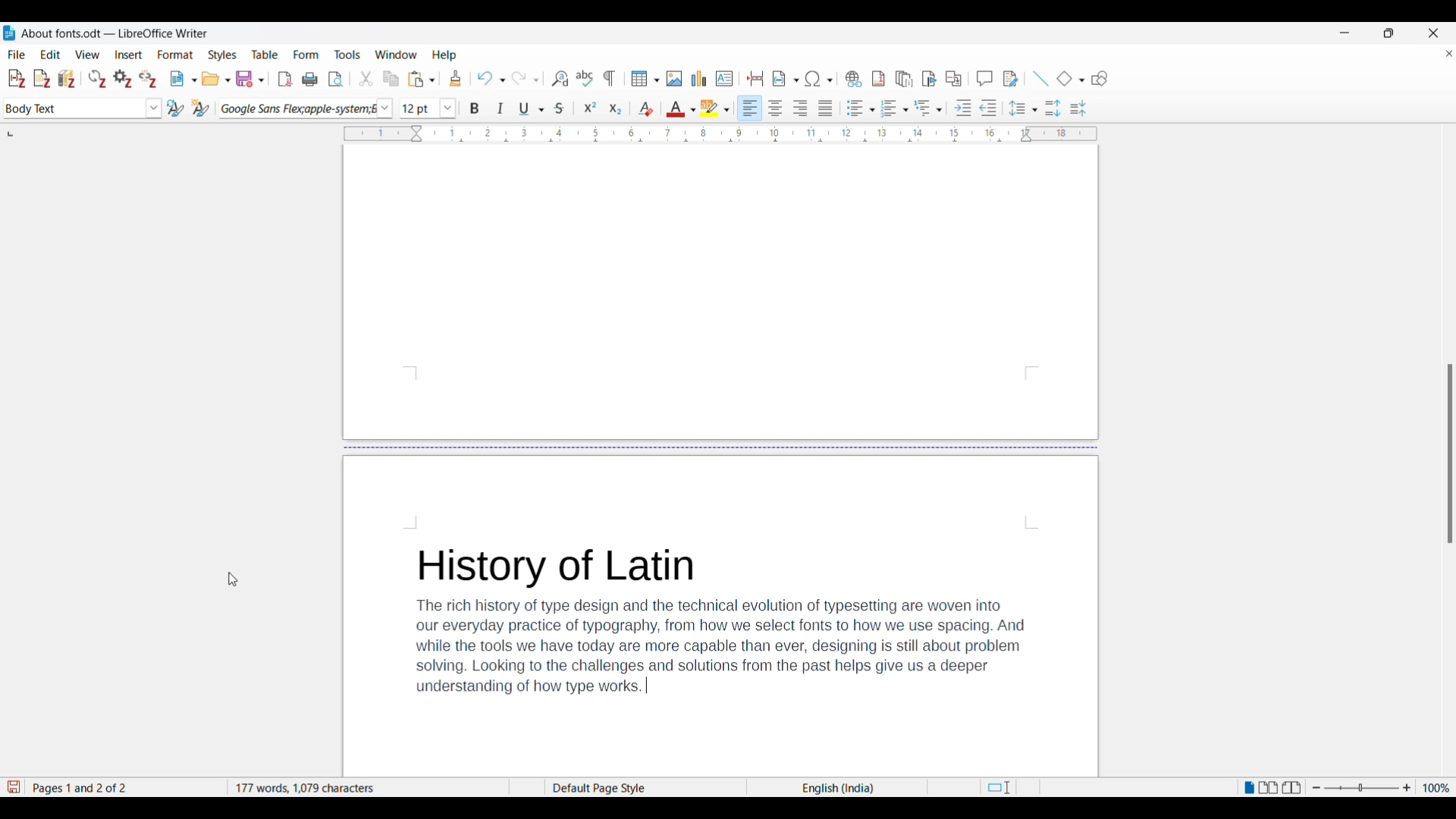 The width and height of the screenshot is (1456, 819). I want to click on Insert graph, so click(700, 78).